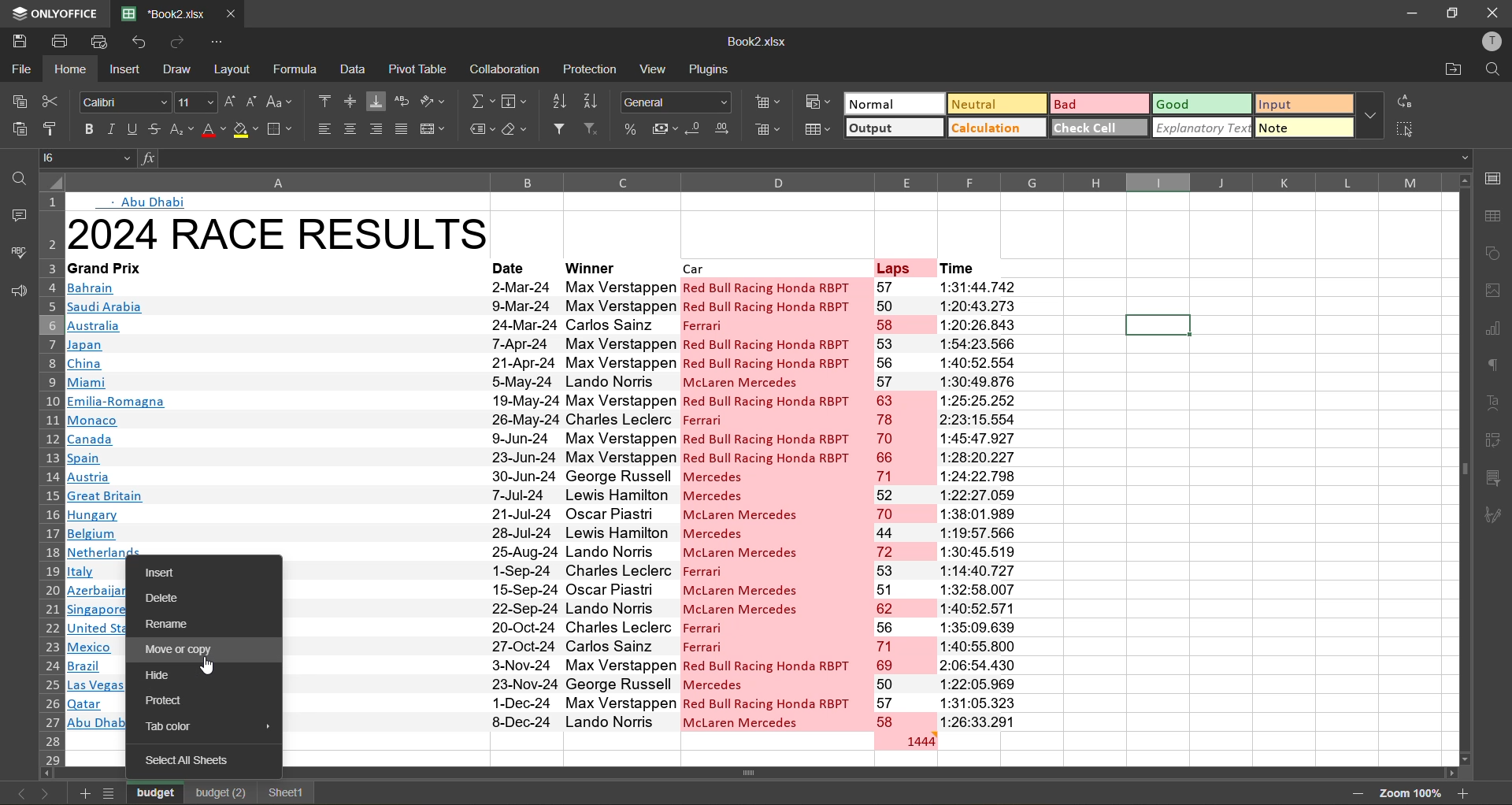 The image size is (1512, 805). I want to click on winner name, so click(618, 504).